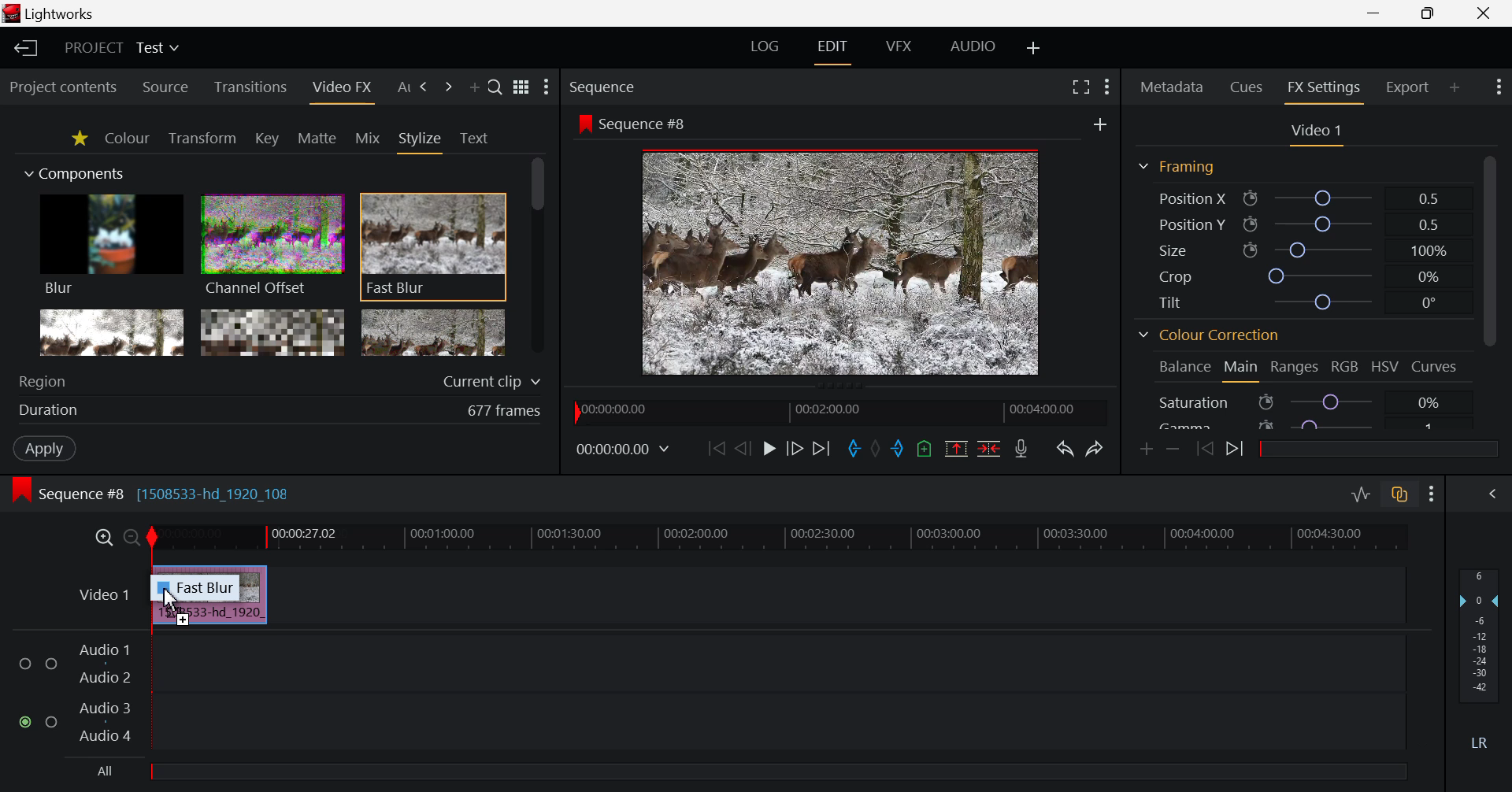 The height and width of the screenshot is (792, 1512). Describe the element at coordinates (1430, 13) in the screenshot. I see `Minimize` at that location.